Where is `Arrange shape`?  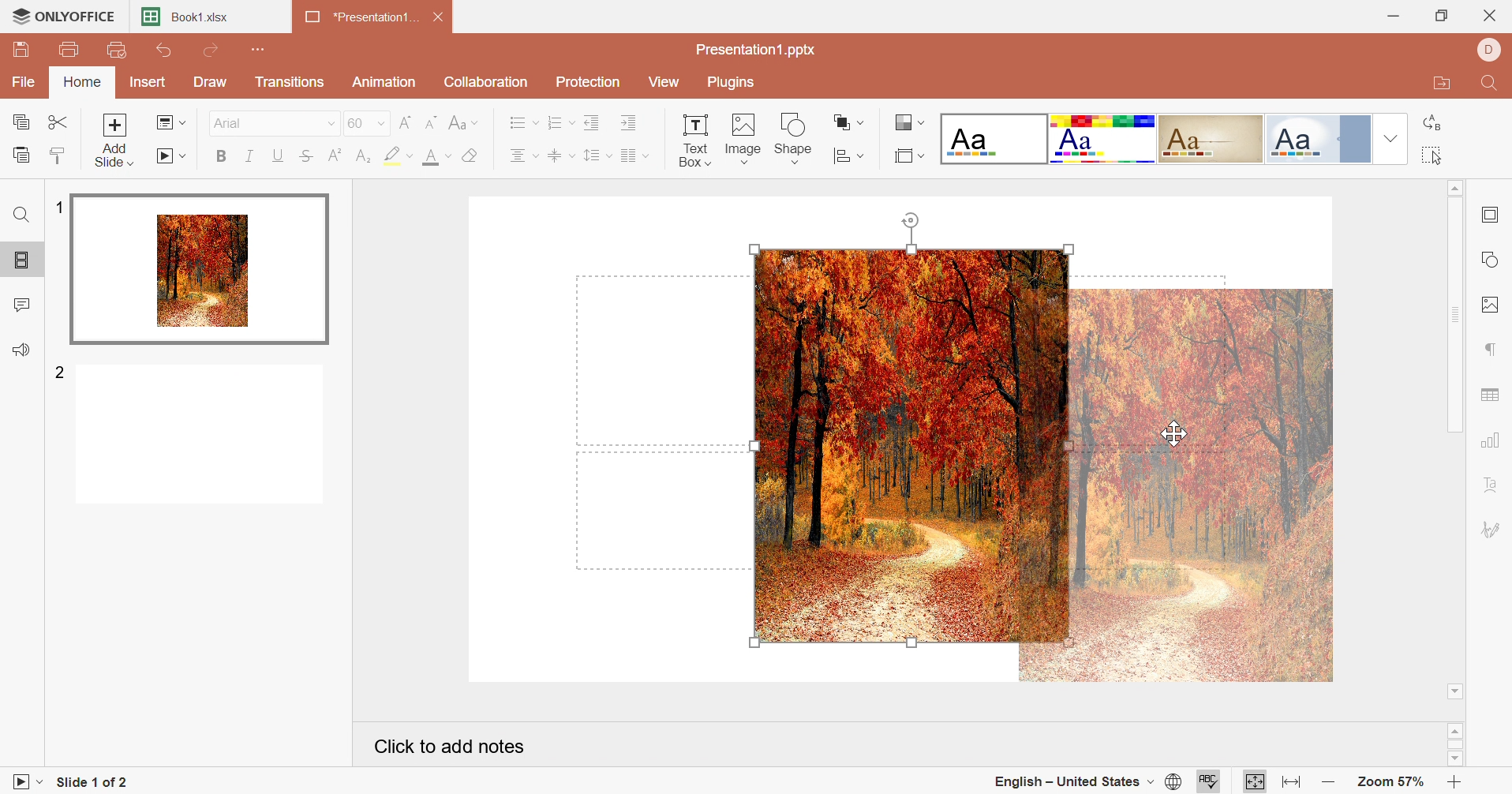 Arrange shape is located at coordinates (845, 122).